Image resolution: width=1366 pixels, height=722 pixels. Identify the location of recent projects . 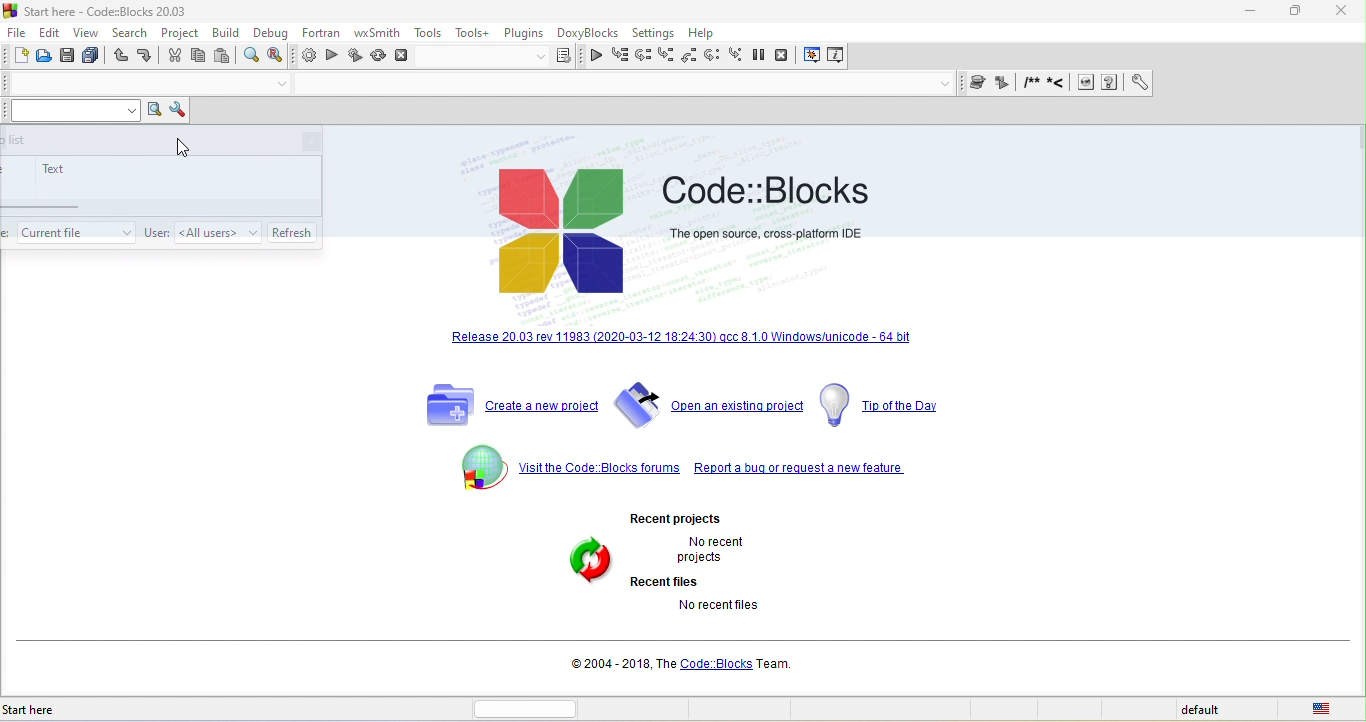
(700, 515).